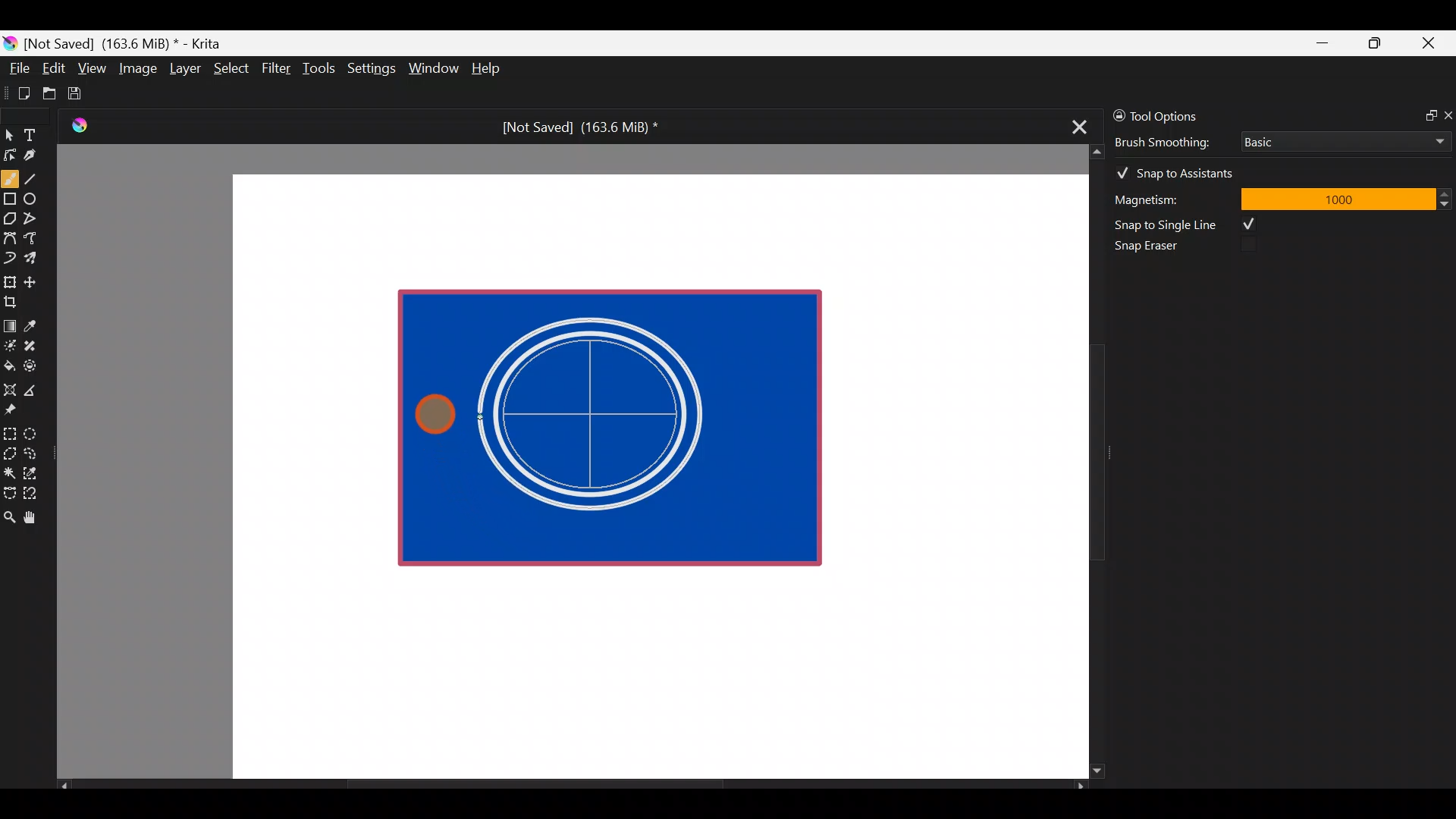 This screenshot has height=819, width=1456. I want to click on Snap to assistants, so click(1182, 170).